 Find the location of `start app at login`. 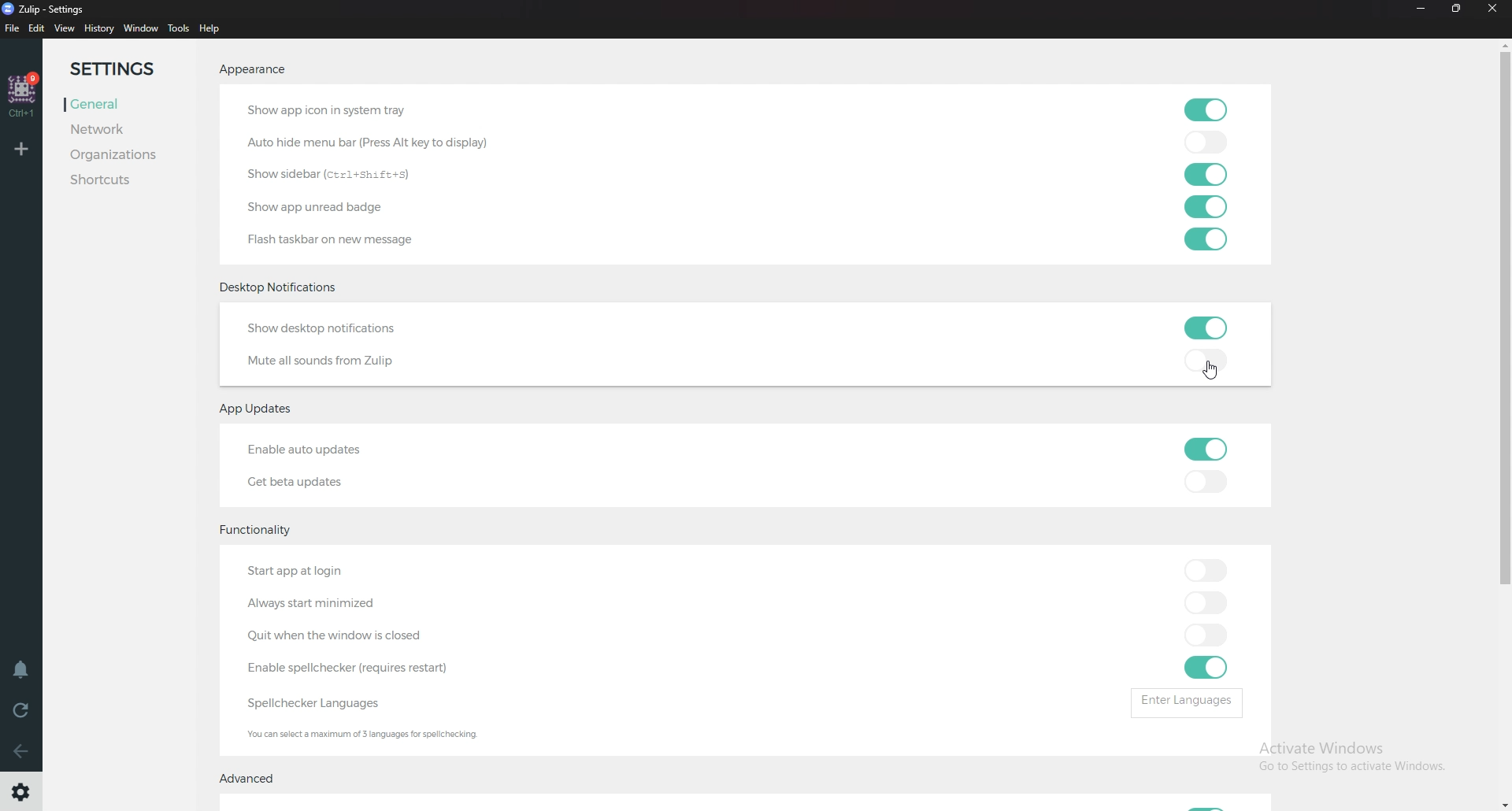

start app at login is located at coordinates (351, 567).